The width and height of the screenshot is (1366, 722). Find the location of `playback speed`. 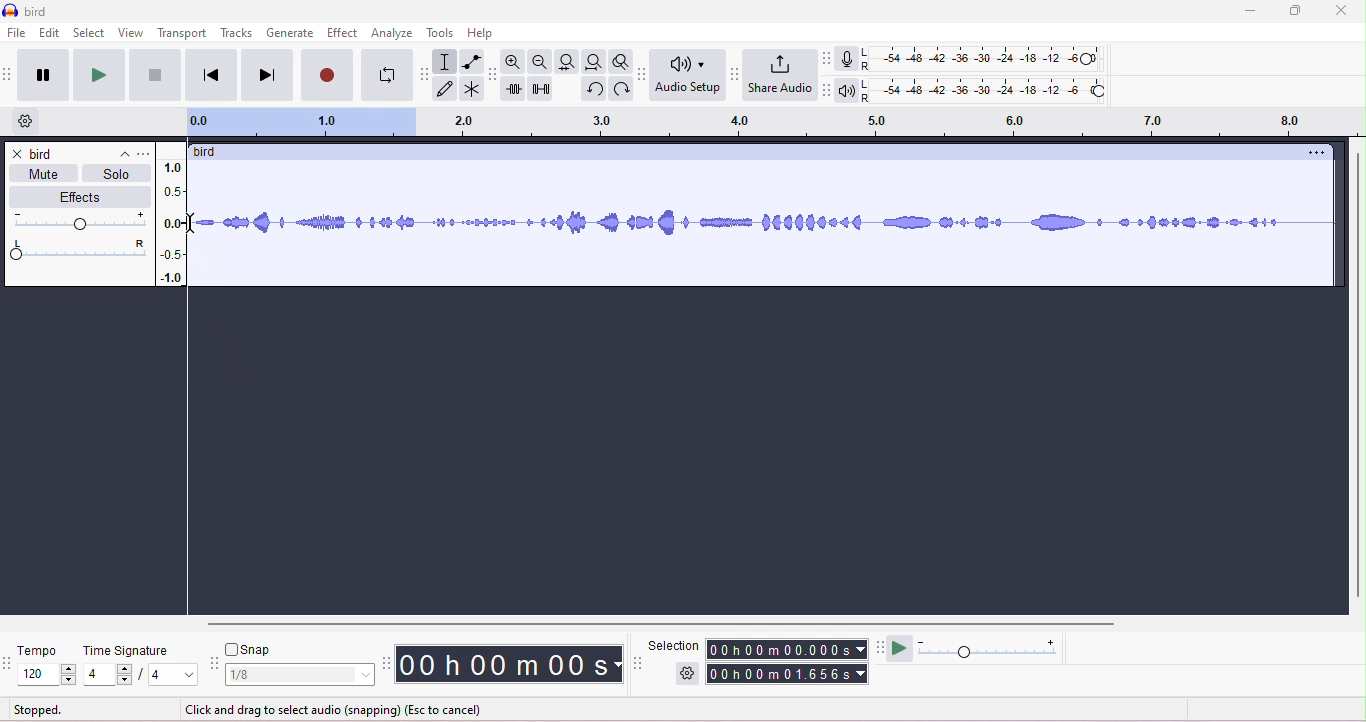

playback speed is located at coordinates (993, 647).